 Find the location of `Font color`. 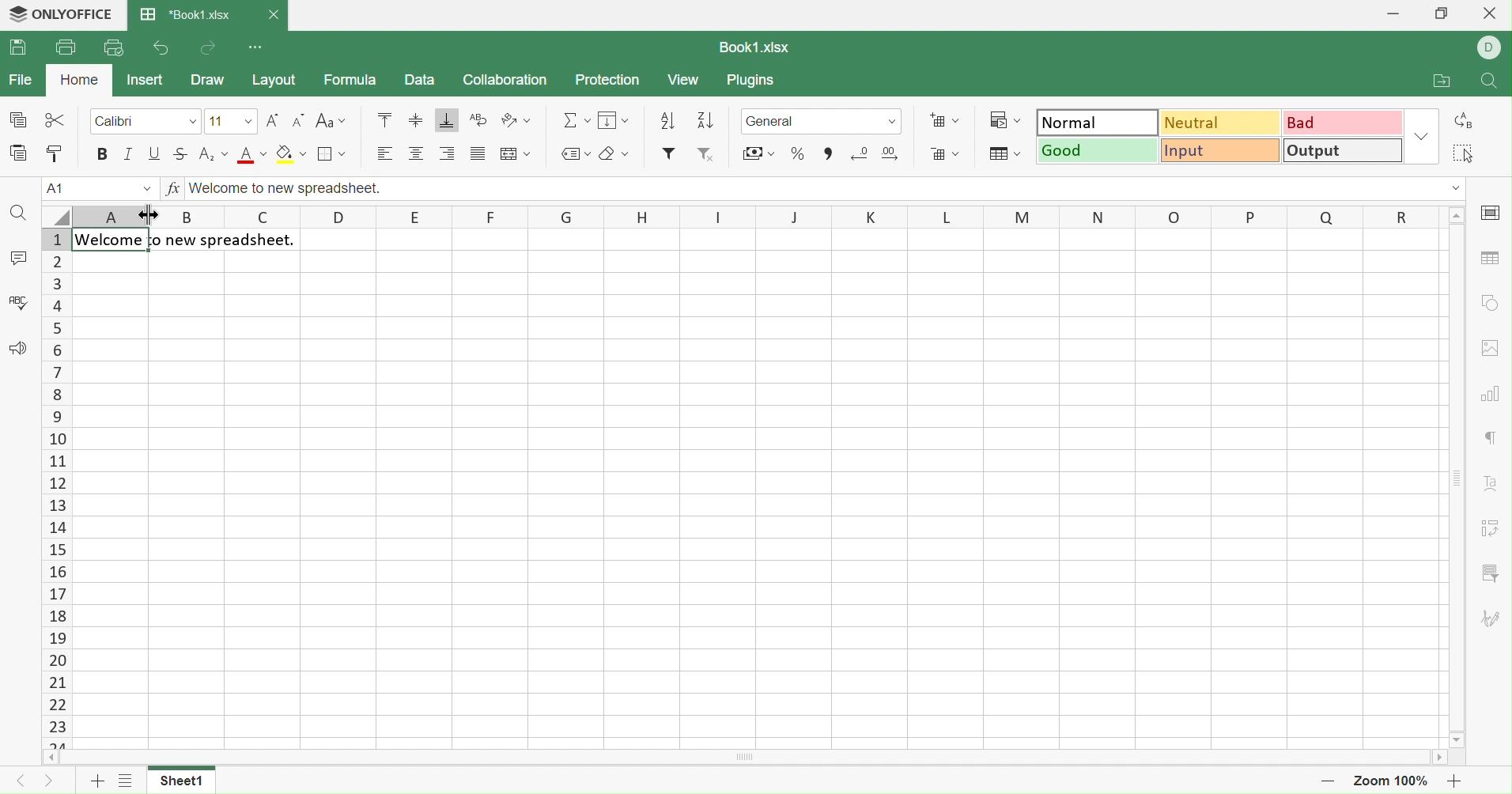

Font color is located at coordinates (255, 155).